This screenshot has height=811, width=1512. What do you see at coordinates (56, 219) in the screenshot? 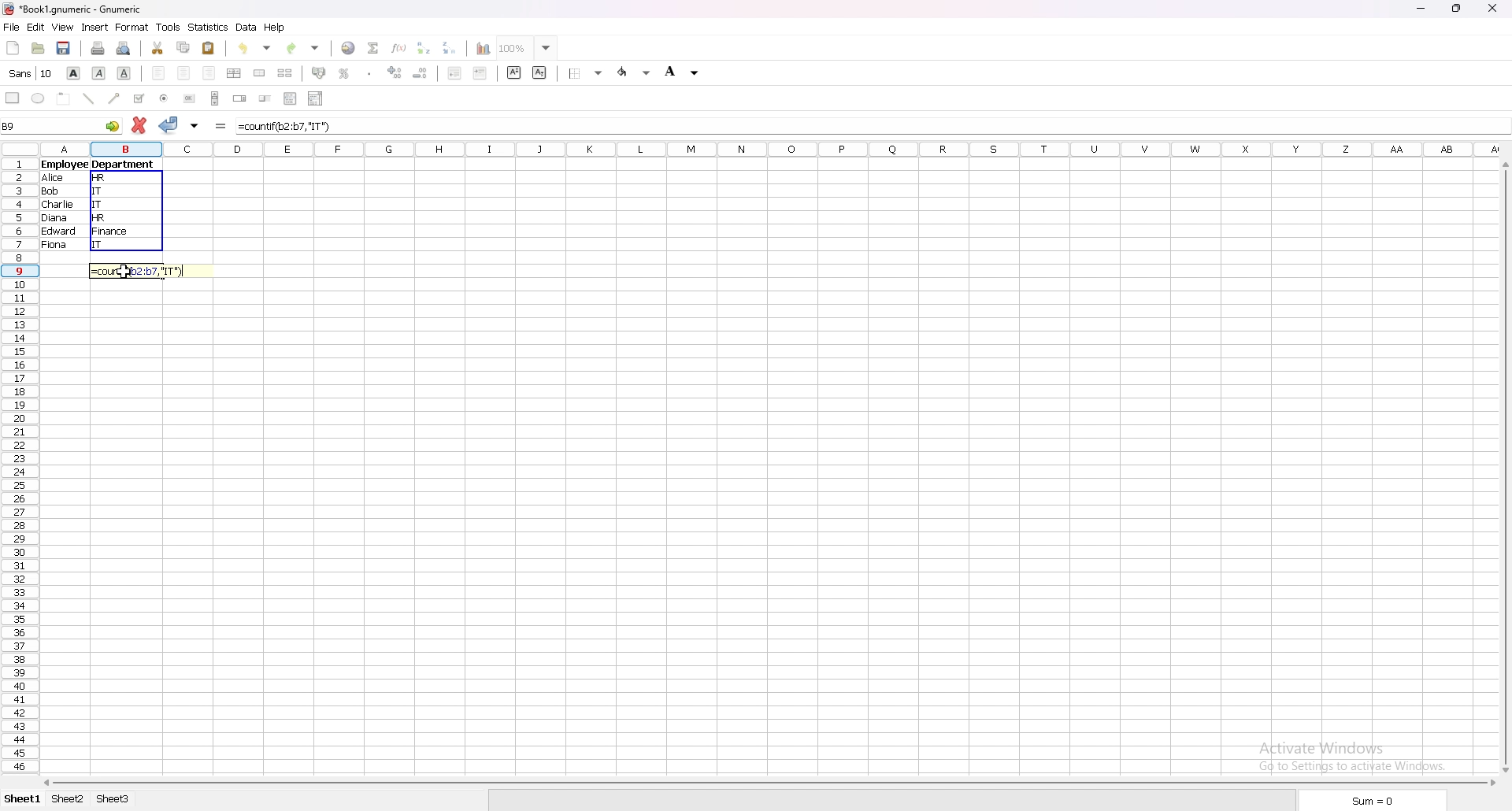
I see `diana` at bounding box center [56, 219].